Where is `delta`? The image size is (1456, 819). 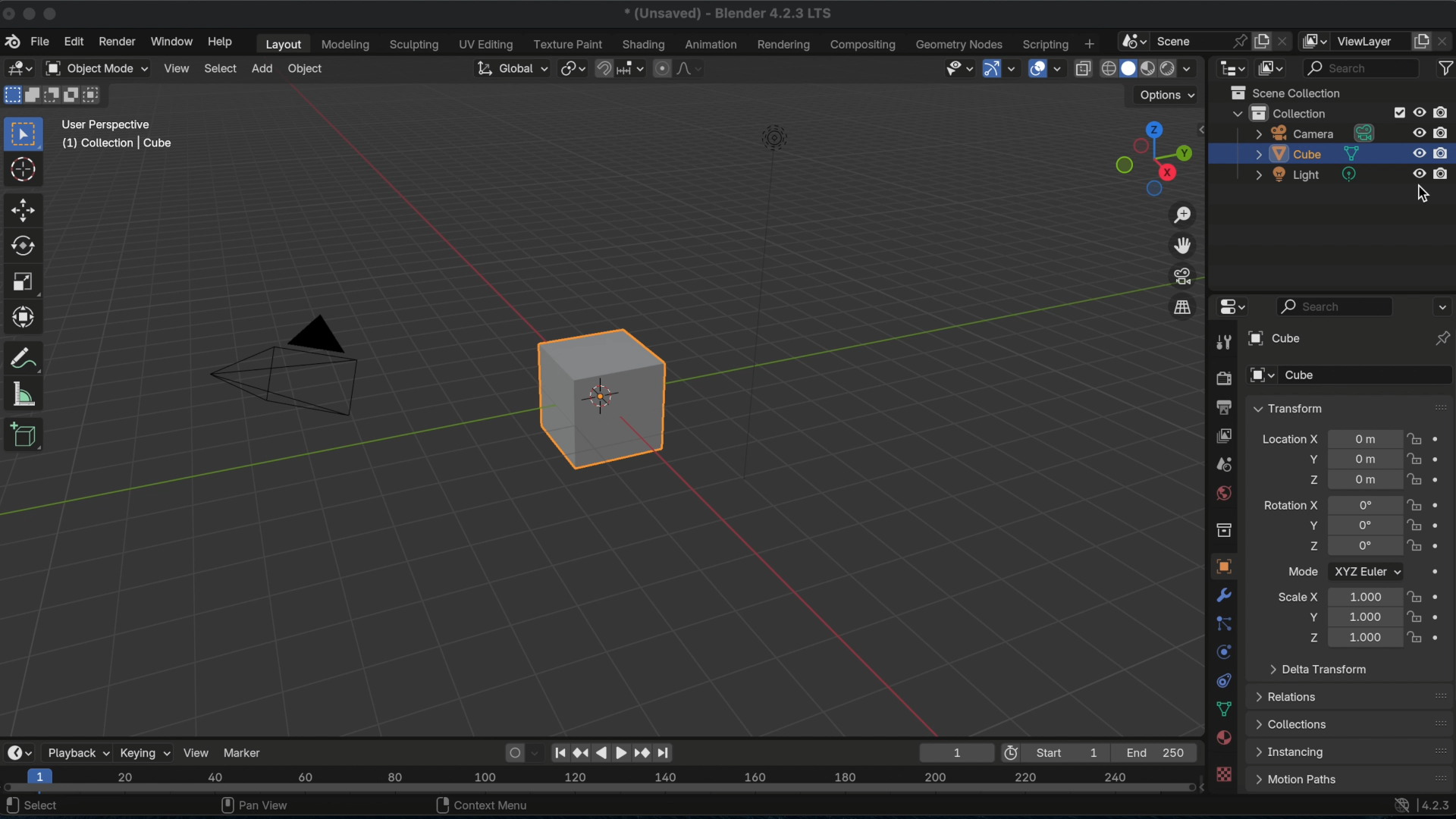
delta is located at coordinates (1225, 709).